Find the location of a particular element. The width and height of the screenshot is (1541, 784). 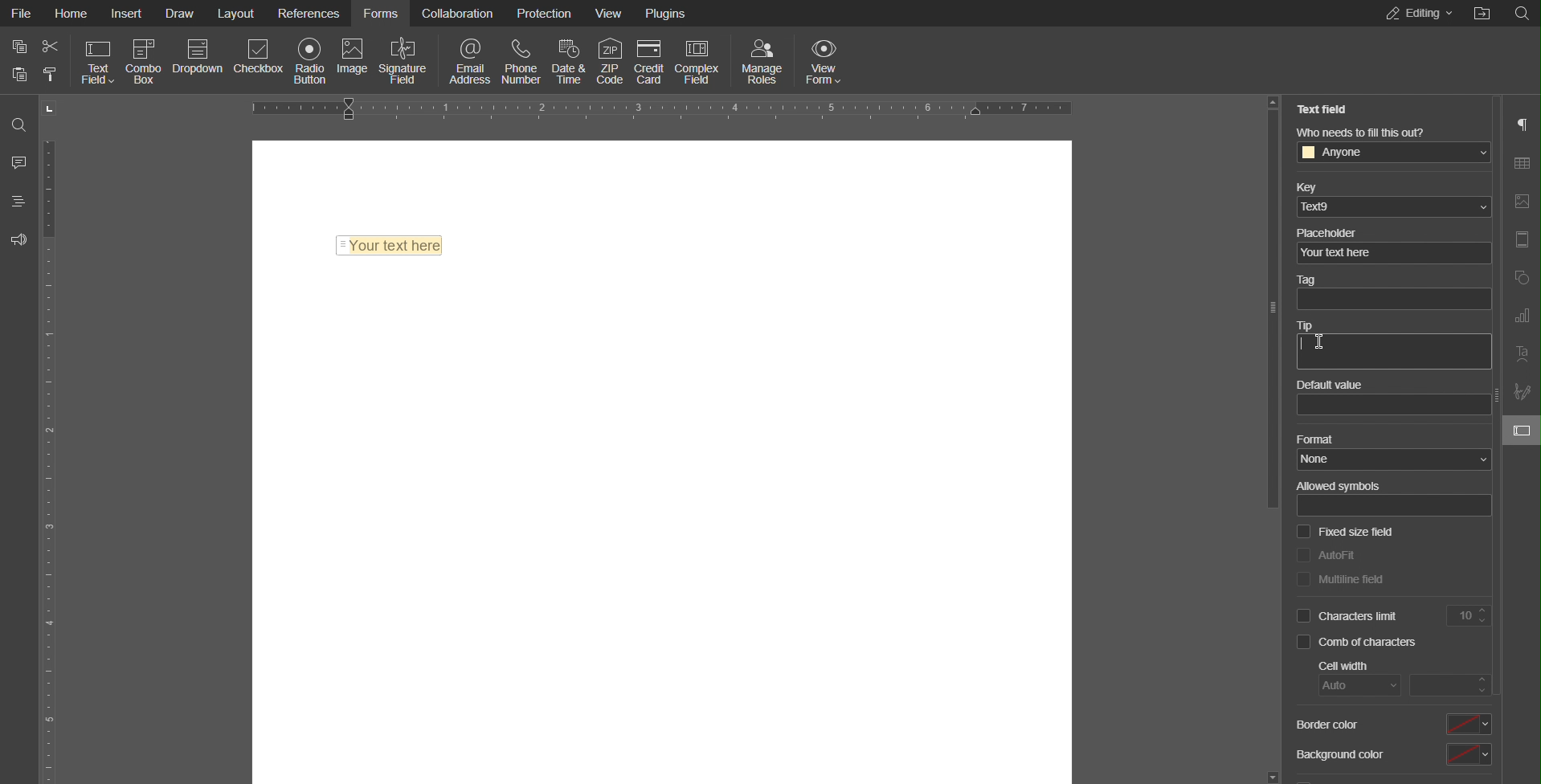

Home is located at coordinates (71, 12).